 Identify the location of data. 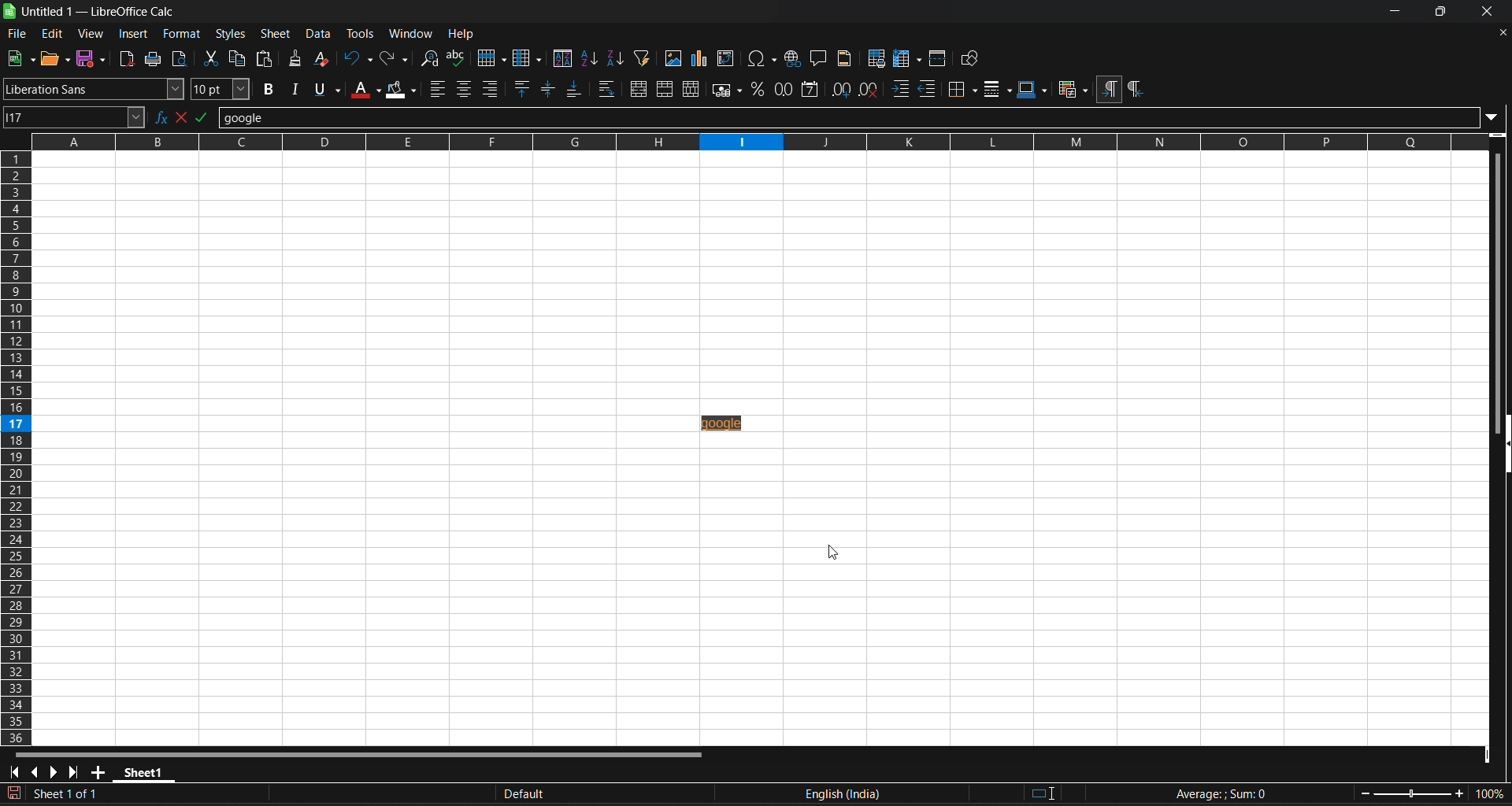
(321, 34).